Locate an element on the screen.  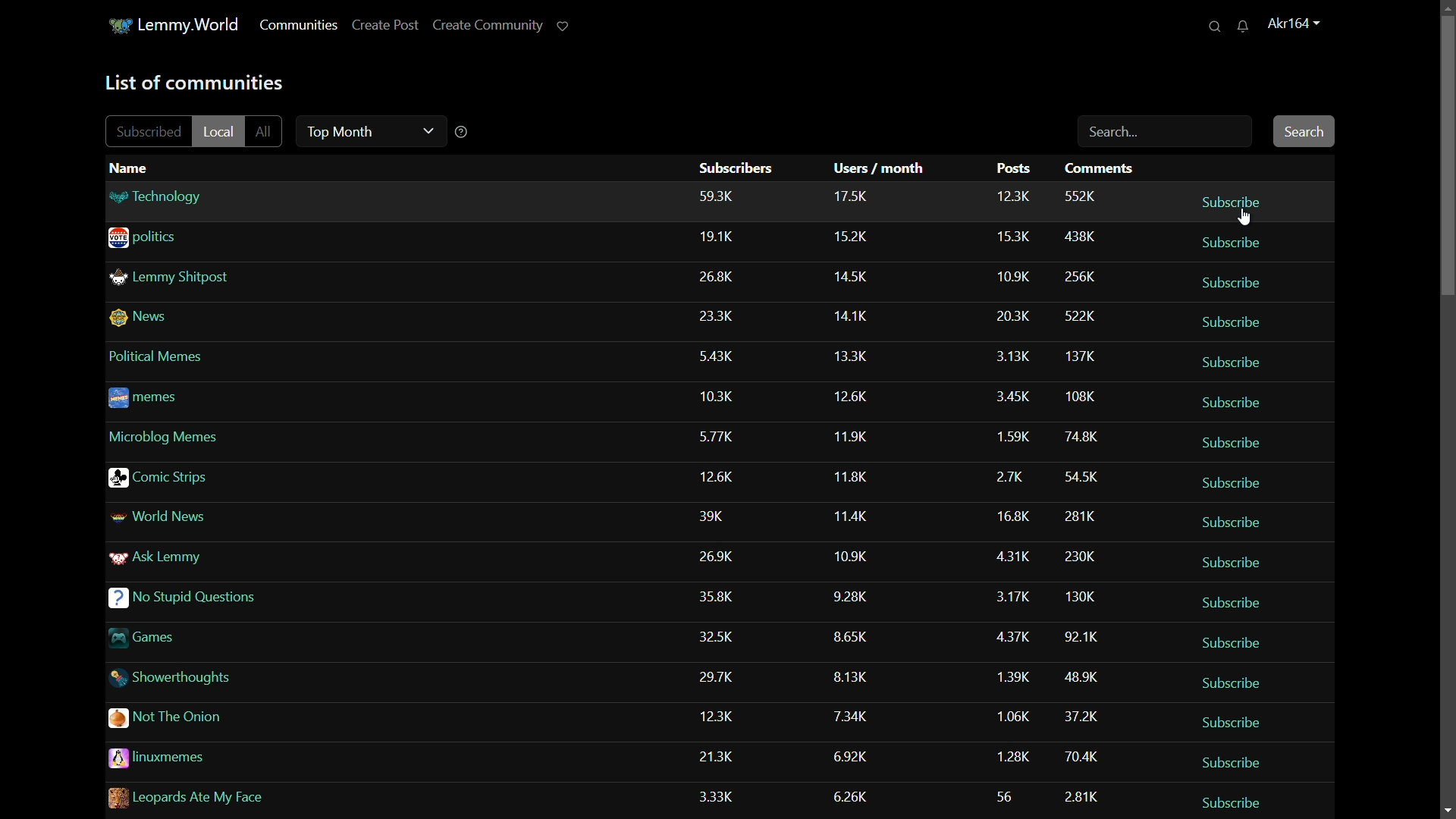
posts is located at coordinates (1007, 391).